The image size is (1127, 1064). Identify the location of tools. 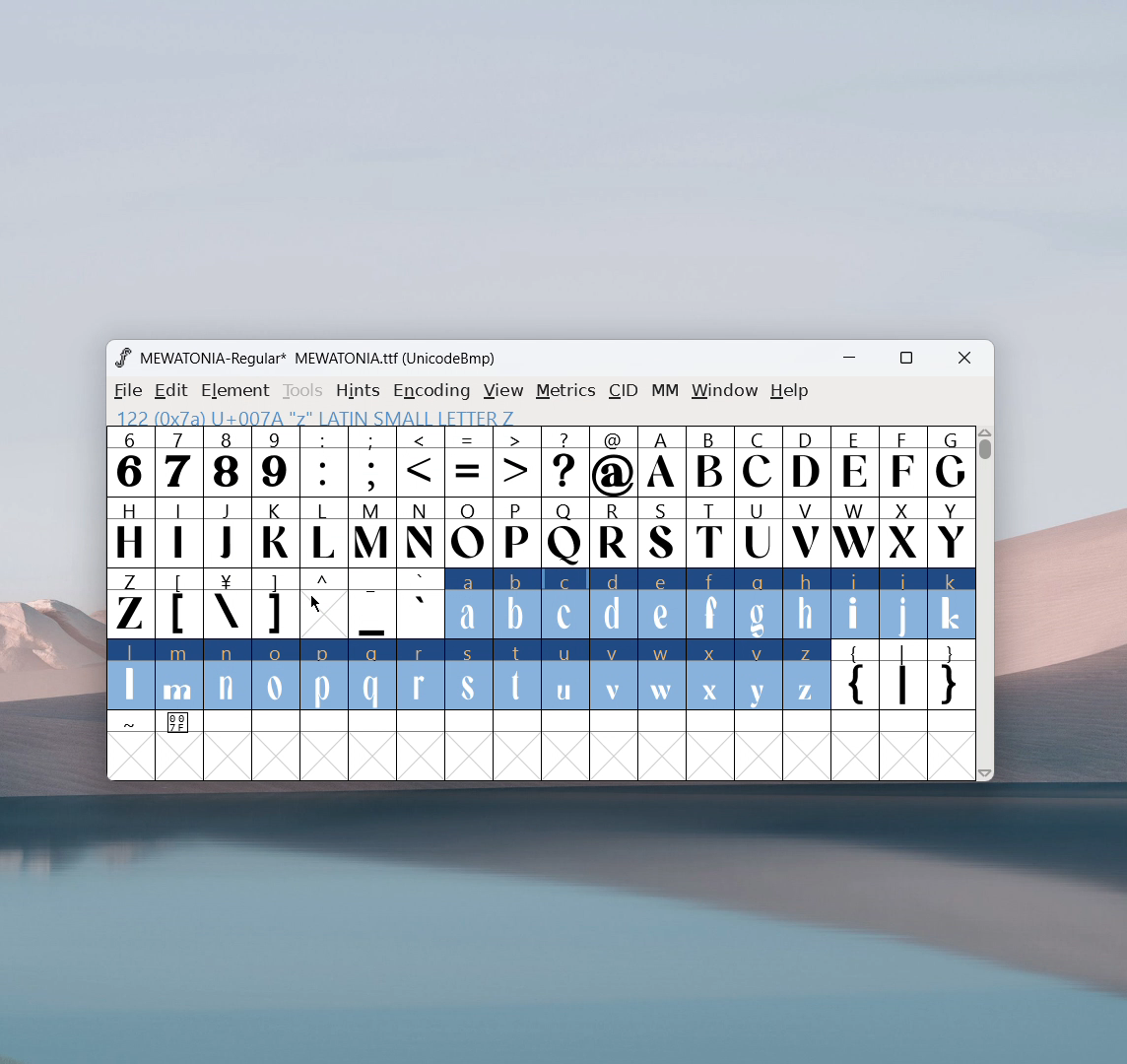
(303, 391).